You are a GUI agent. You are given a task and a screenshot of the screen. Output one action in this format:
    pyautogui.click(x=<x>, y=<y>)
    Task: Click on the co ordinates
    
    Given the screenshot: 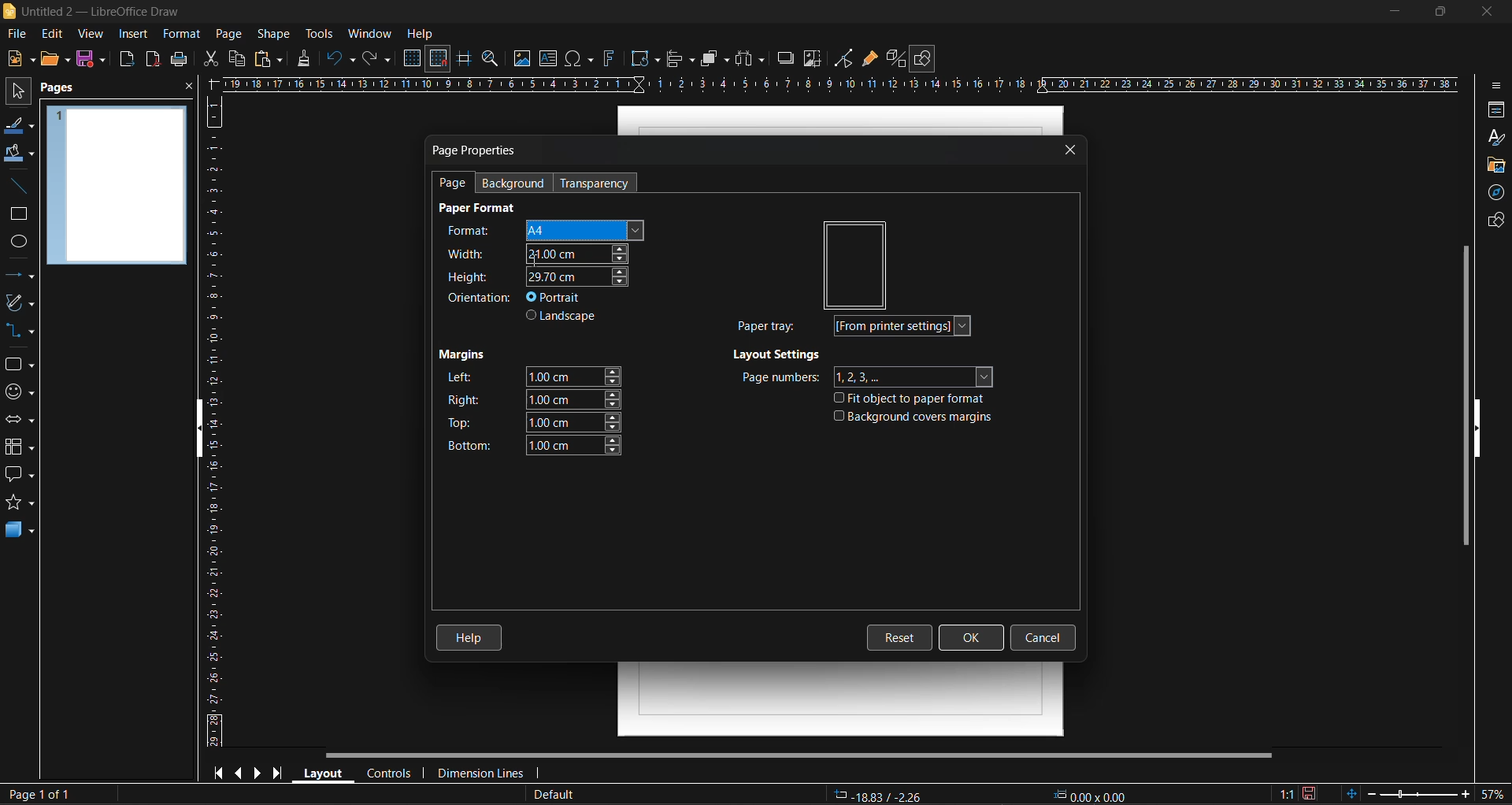 What is the action you would take?
    pyautogui.click(x=983, y=796)
    